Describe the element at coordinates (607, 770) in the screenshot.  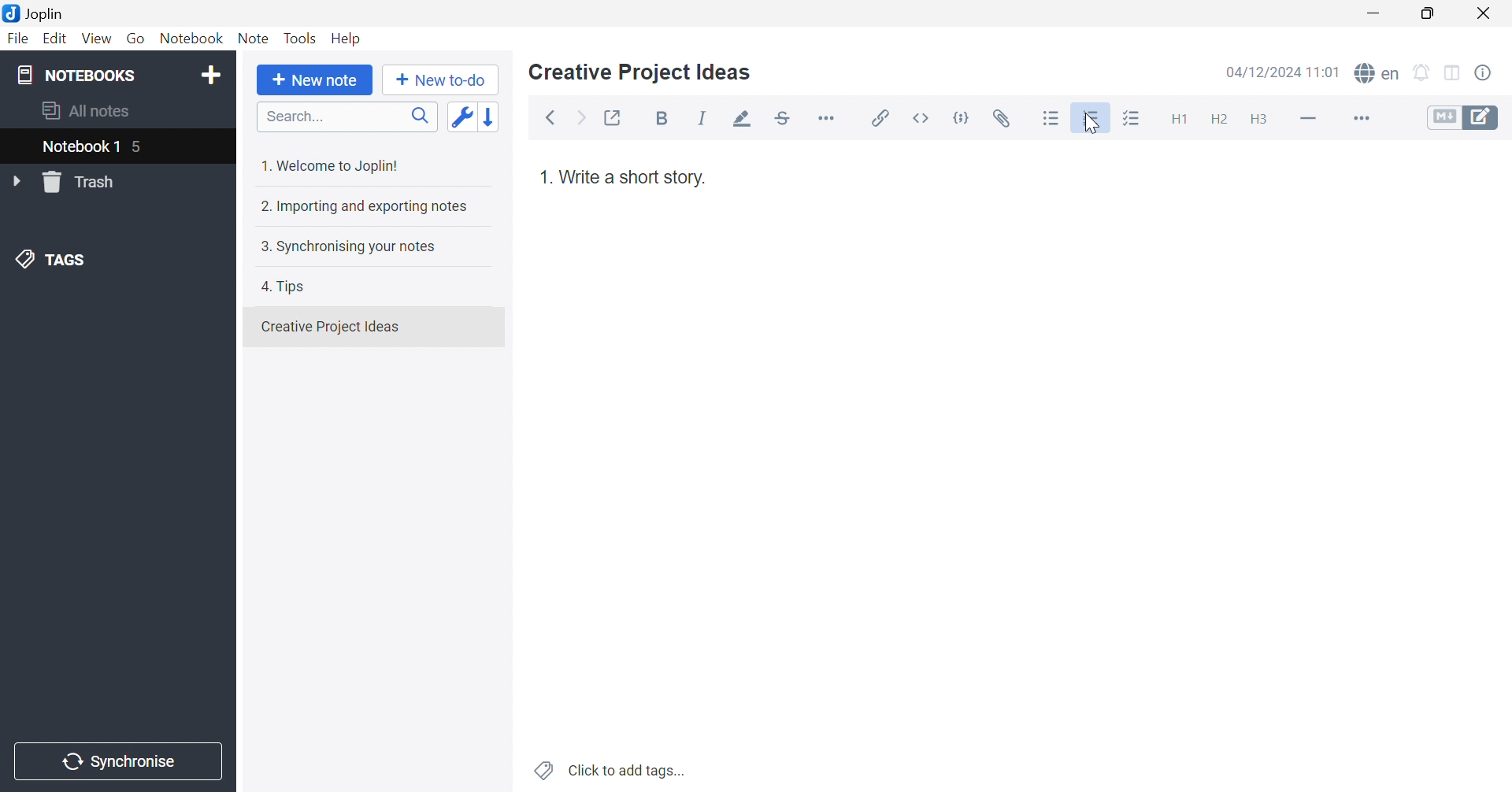
I see `Click to add tags` at that location.